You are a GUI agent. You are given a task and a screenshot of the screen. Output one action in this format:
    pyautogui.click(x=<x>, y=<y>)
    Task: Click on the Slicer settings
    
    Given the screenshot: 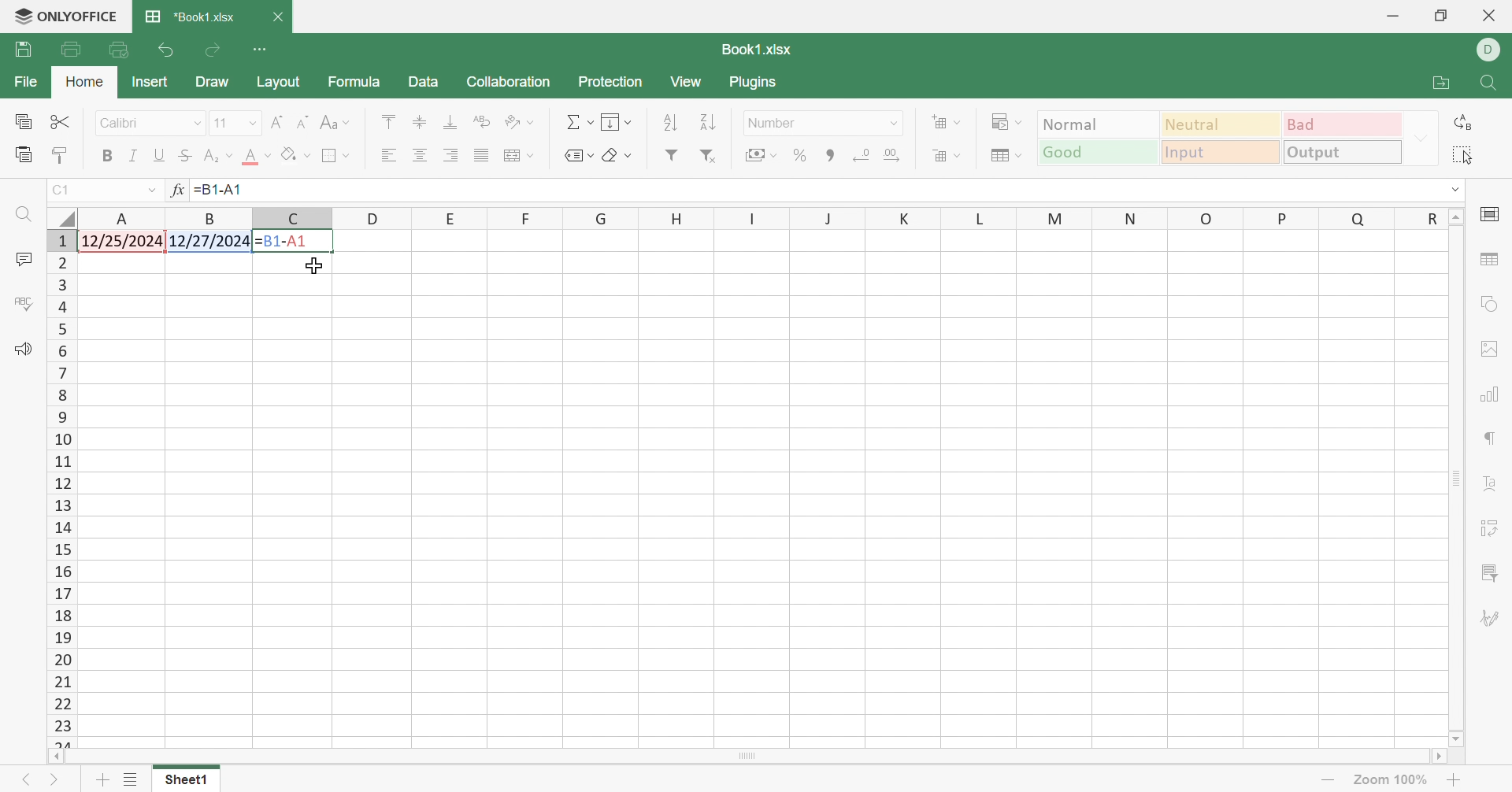 What is the action you would take?
    pyautogui.click(x=1488, y=572)
    